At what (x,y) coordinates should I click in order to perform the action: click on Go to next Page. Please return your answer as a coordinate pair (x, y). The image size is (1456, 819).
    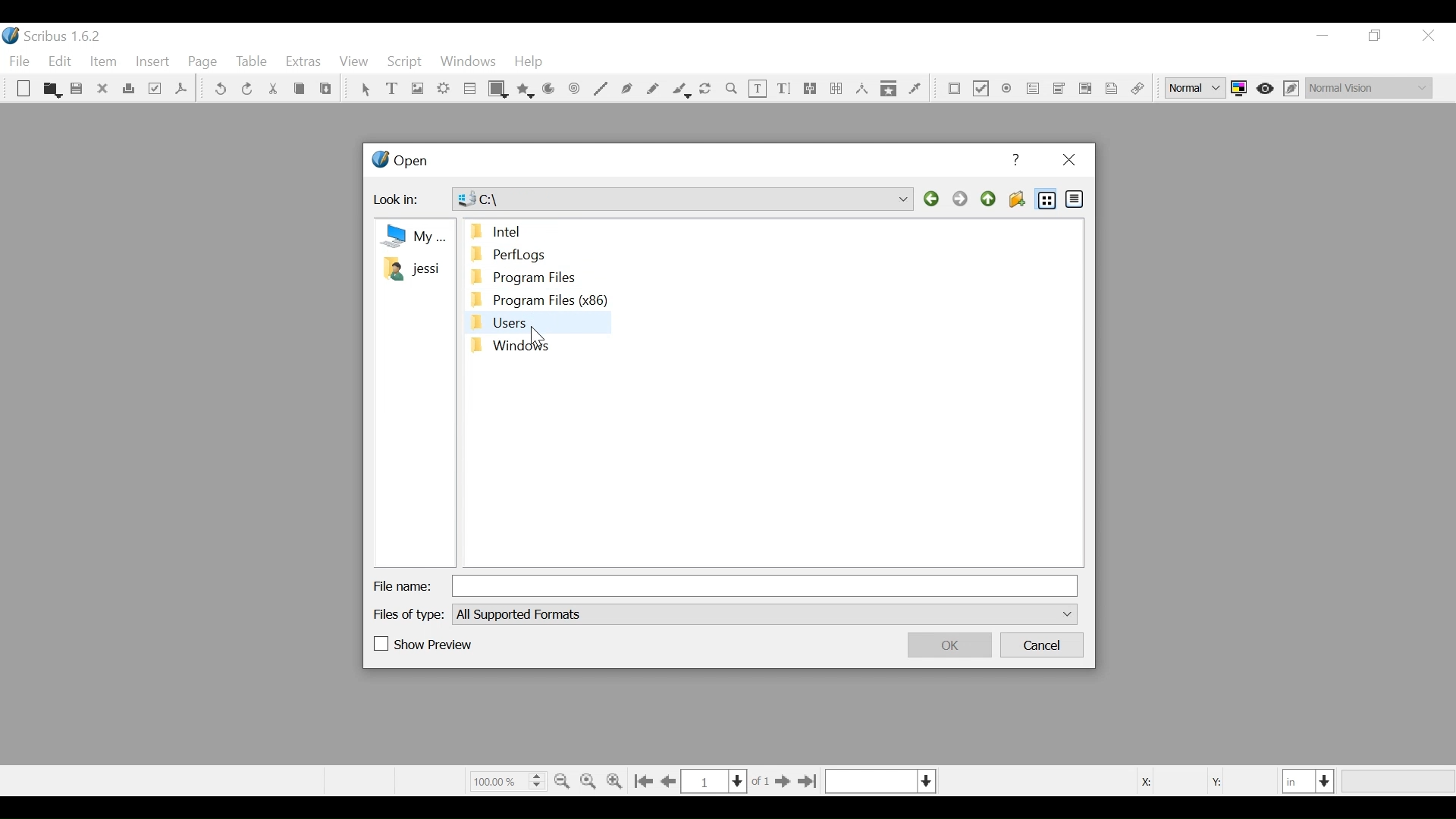
    Looking at the image, I should click on (780, 783).